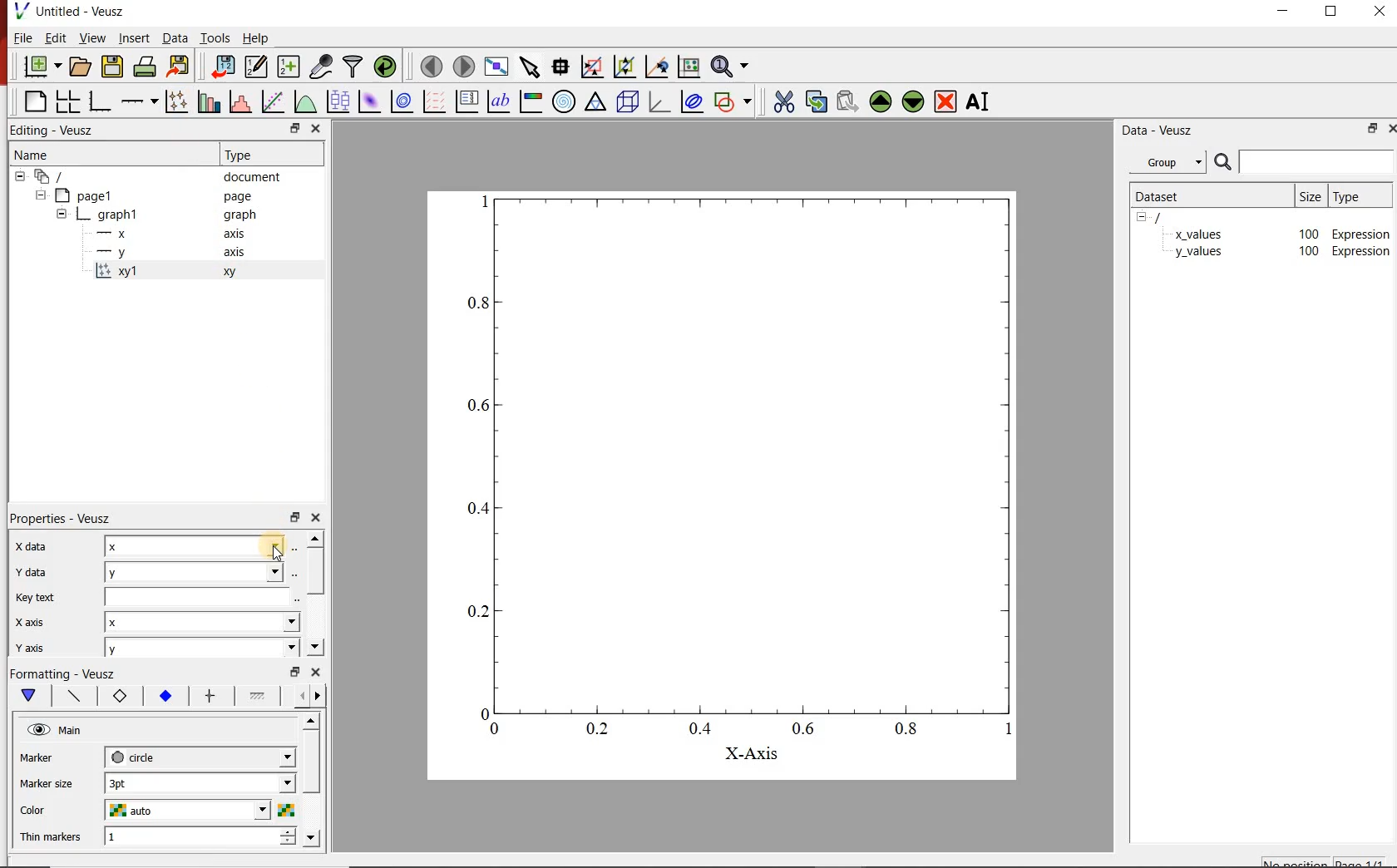 This screenshot has height=868, width=1397. Describe the element at coordinates (116, 273) in the screenshot. I see `x='x', y='y', marker='circle'` at that location.